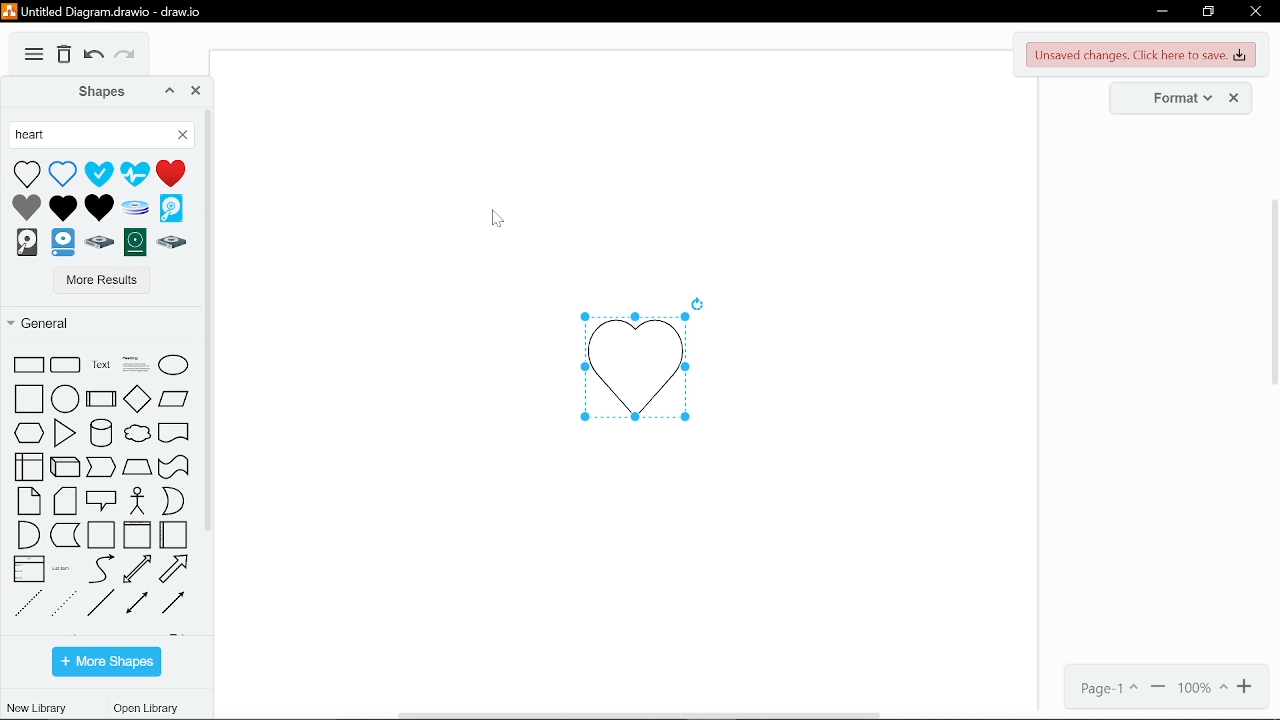 The height and width of the screenshot is (720, 1280). What do you see at coordinates (65, 55) in the screenshot?
I see `delete` at bounding box center [65, 55].